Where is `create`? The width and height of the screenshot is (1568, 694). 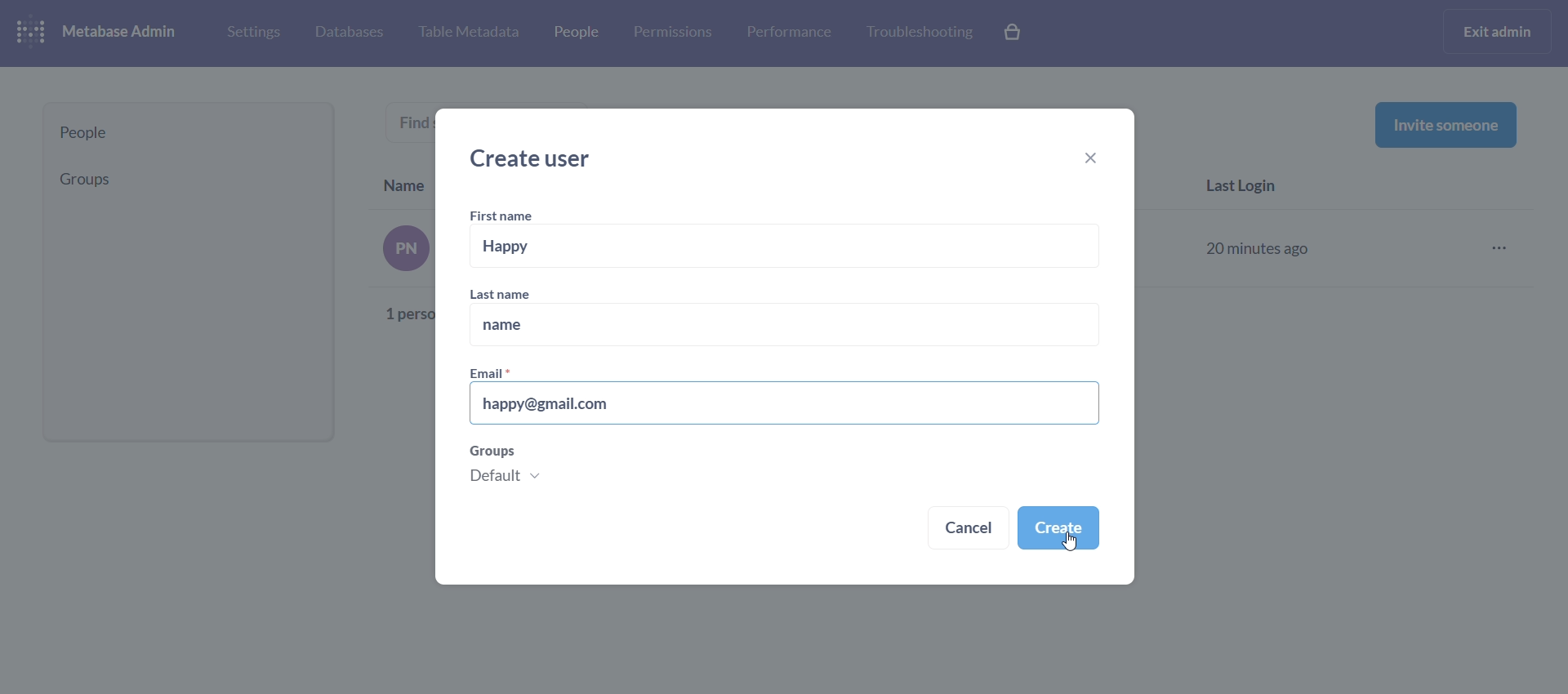 create is located at coordinates (1058, 527).